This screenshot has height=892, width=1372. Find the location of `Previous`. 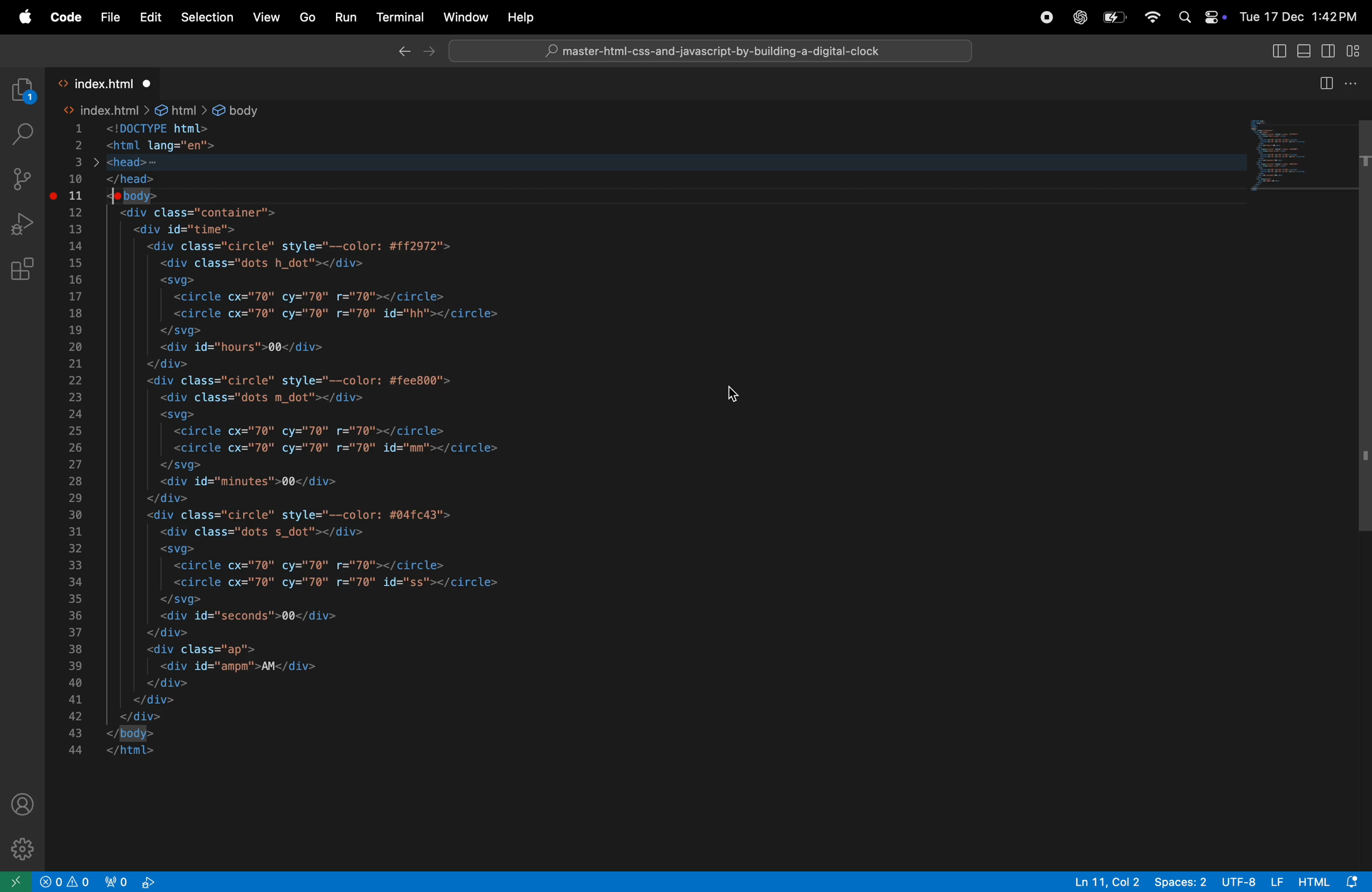

Previous is located at coordinates (403, 53).